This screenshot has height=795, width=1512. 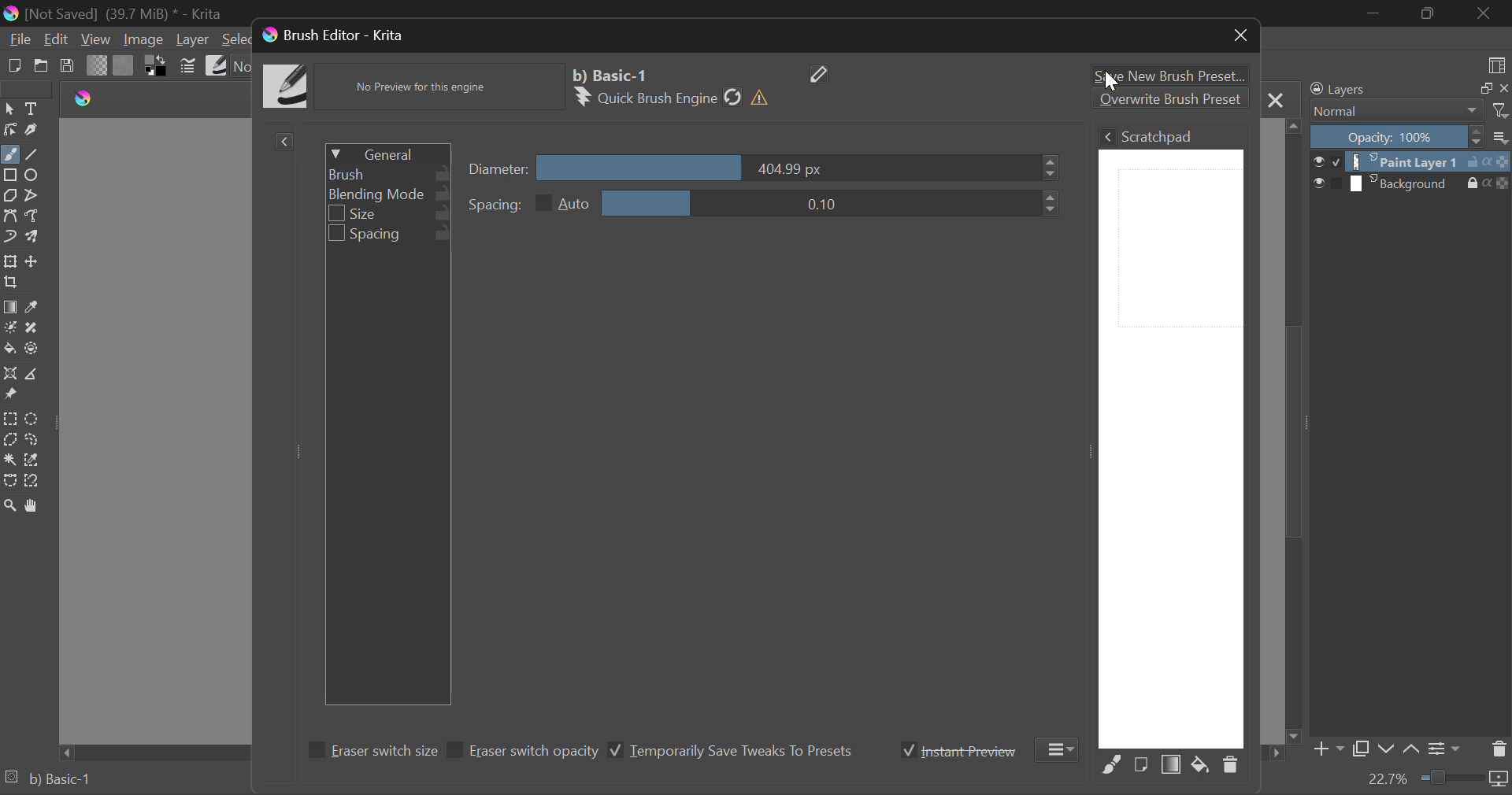 What do you see at coordinates (47, 782) in the screenshot?
I see `Brush Preset Selected` at bounding box center [47, 782].